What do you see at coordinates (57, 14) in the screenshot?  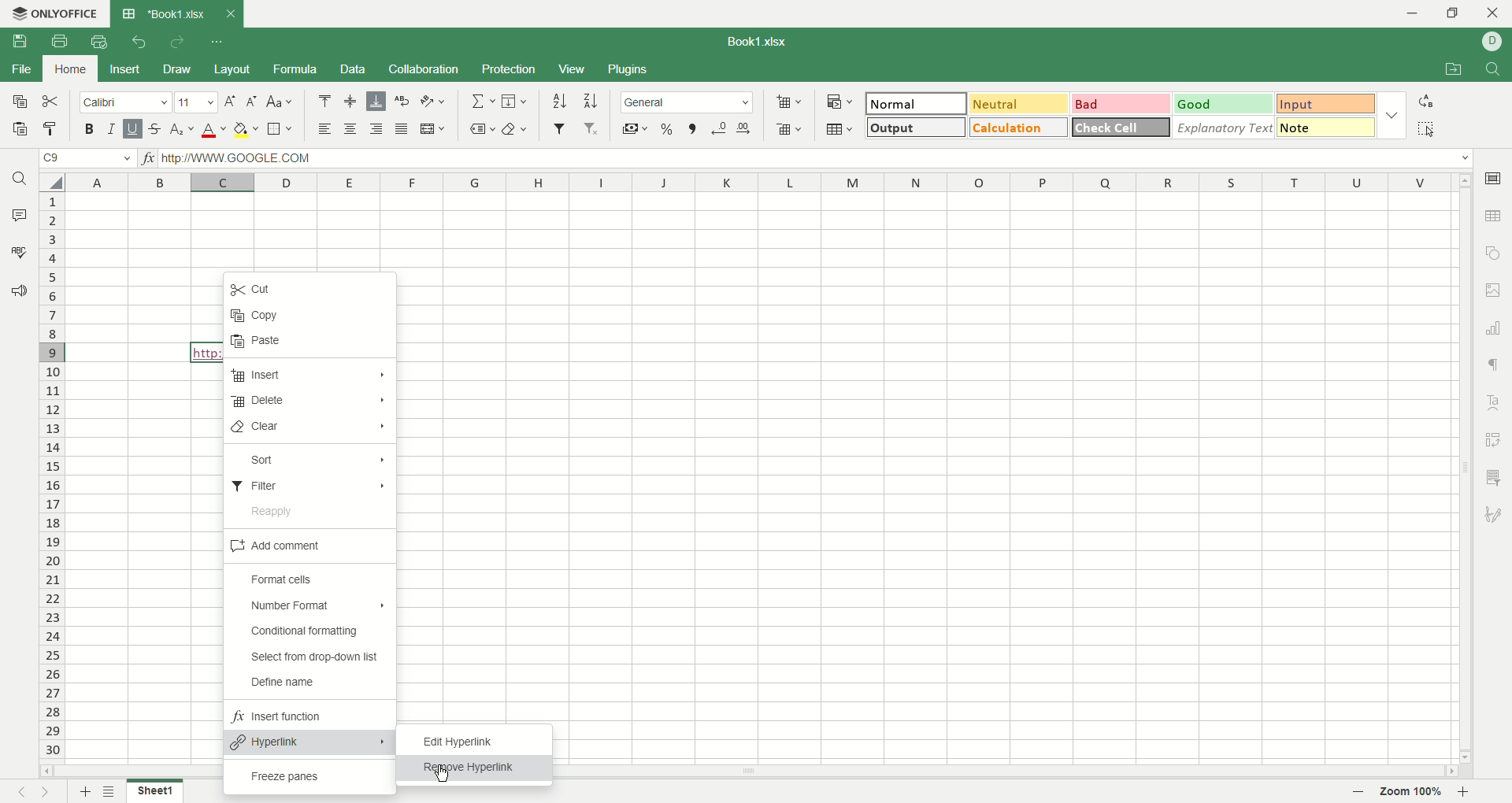 I see `onlyoffice` at bounding box center [57, 14].